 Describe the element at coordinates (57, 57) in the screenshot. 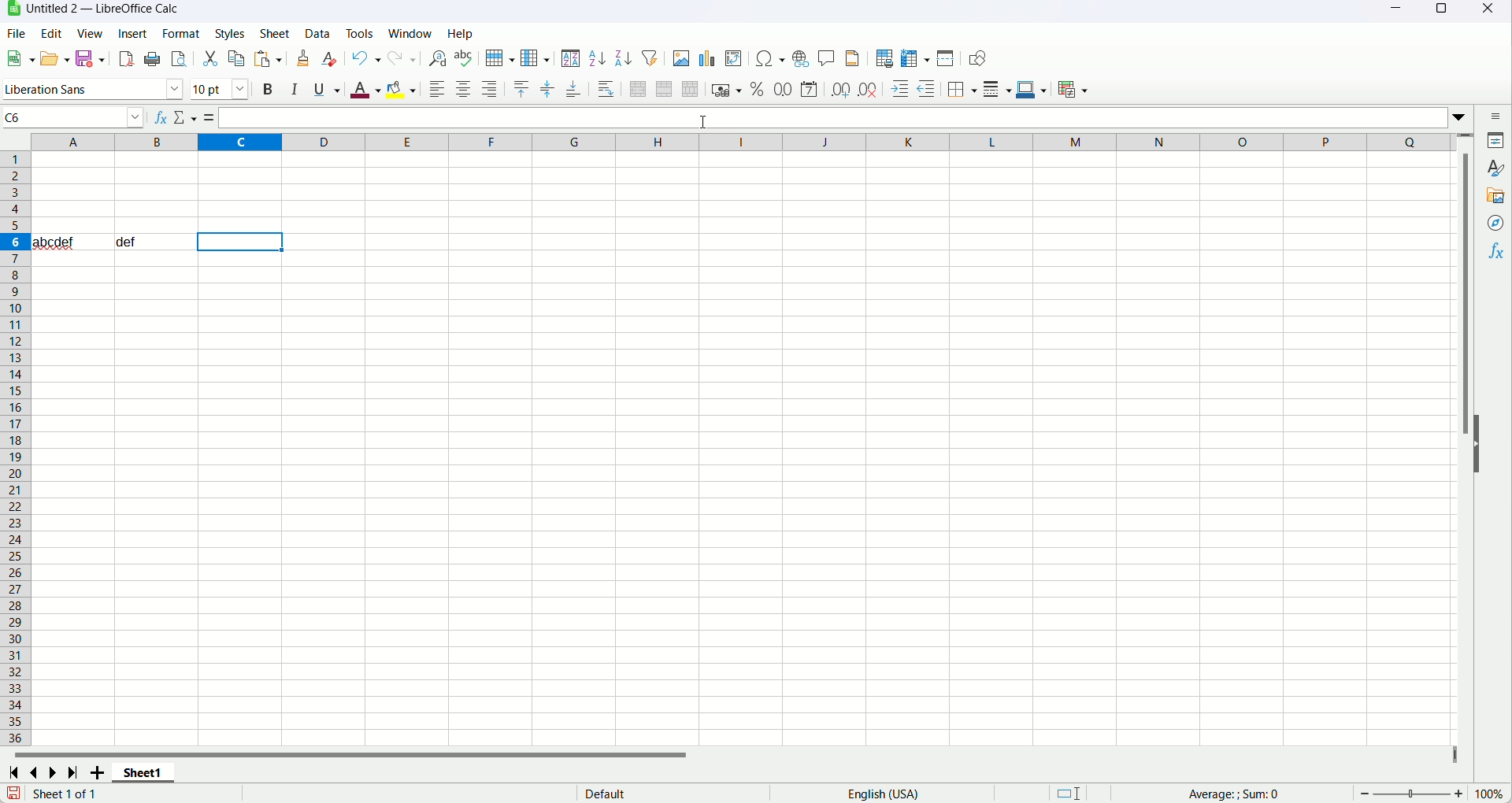

I see `open` at that location.